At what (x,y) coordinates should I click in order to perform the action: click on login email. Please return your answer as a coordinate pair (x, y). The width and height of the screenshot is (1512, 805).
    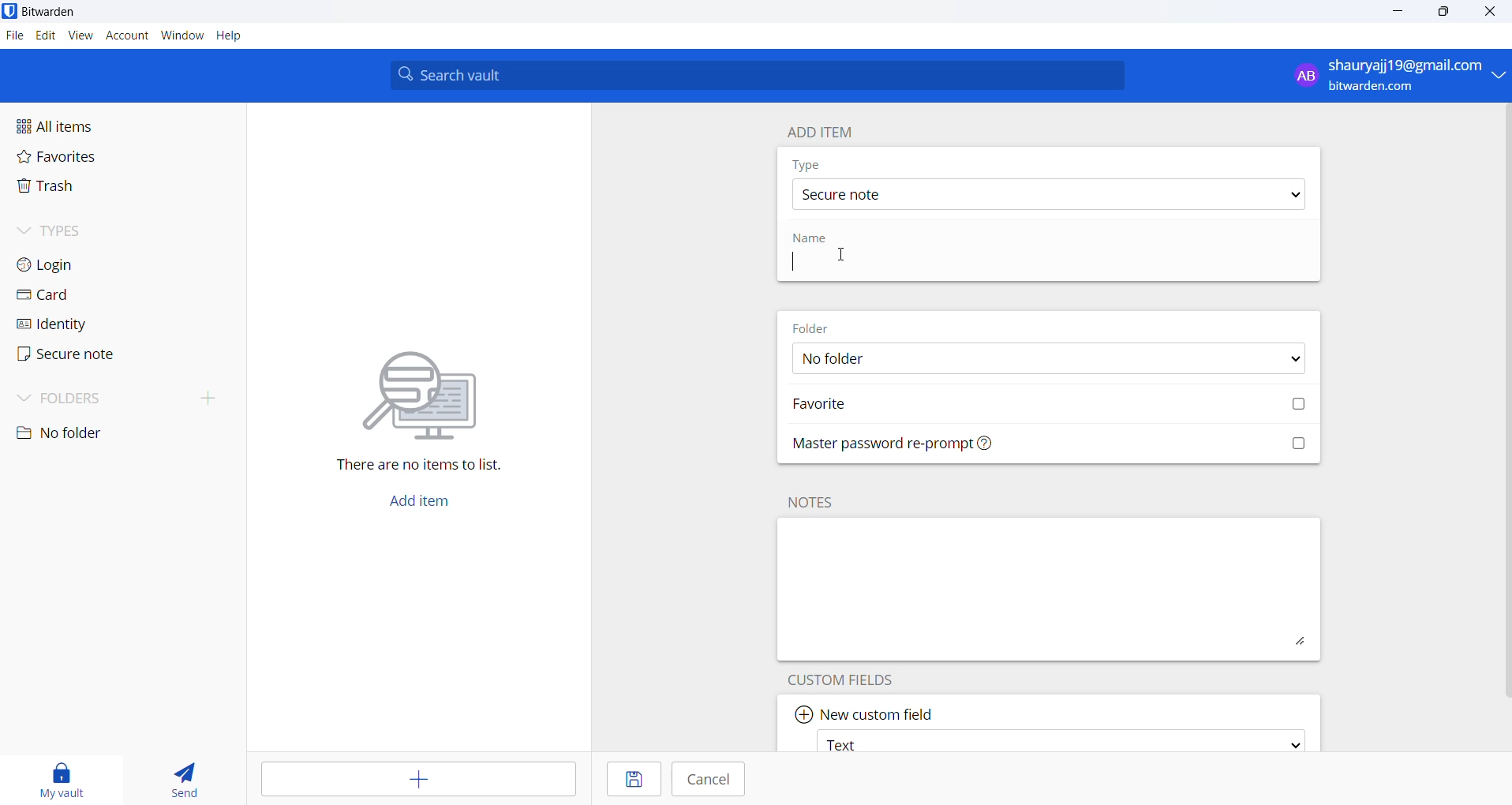
    Looking at the image, I should click on (1386, 76).